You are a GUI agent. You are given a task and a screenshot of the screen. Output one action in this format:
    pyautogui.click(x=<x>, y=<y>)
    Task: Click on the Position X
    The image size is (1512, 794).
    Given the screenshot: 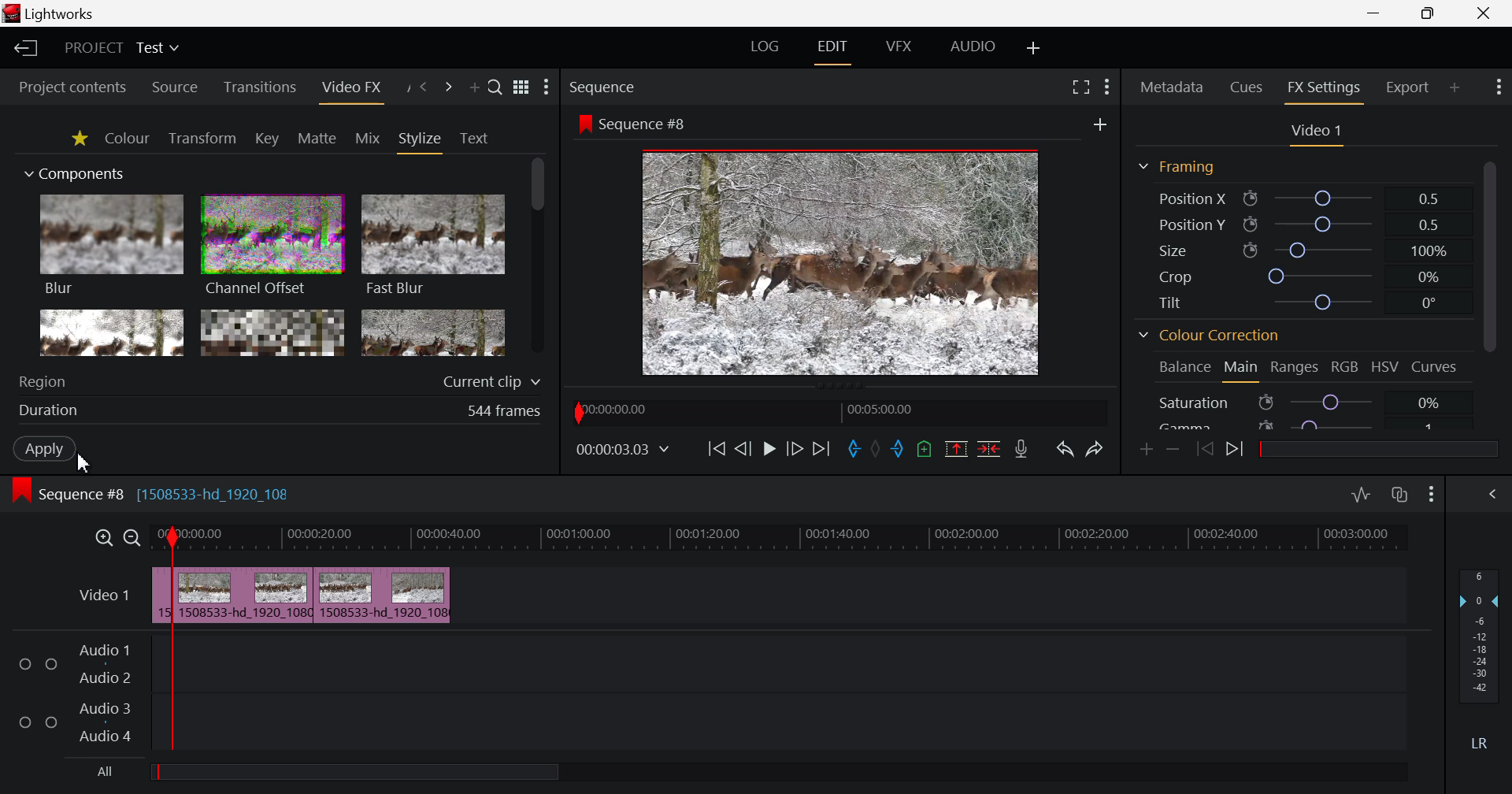 What is the action you would take?
    pyautogui.click(x=1300, y=198)
    